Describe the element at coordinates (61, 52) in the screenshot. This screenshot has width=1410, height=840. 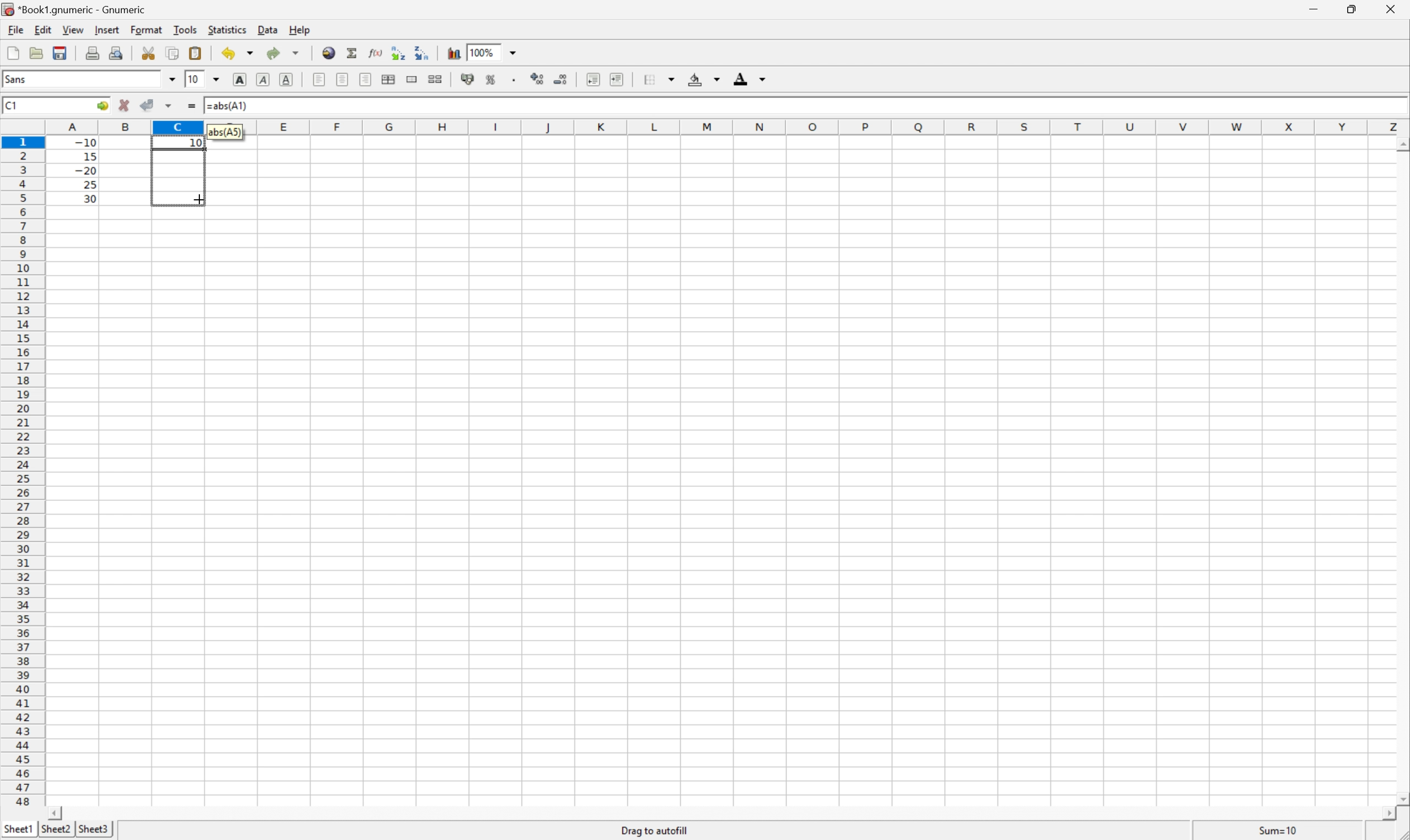
I see `Save the current file` at that location.